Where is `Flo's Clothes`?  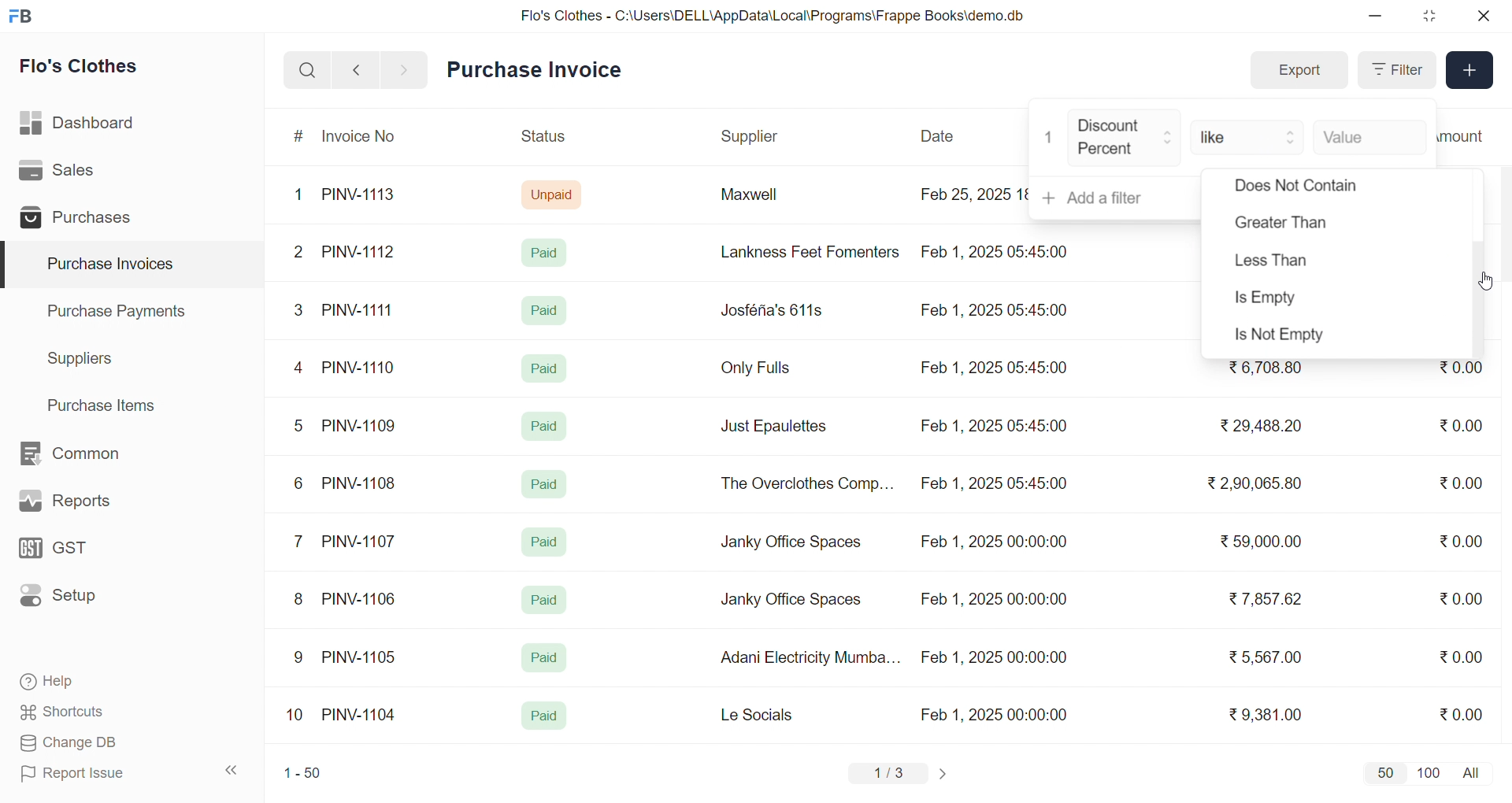
Flo's Clothes is located at coordinates (90, 68).